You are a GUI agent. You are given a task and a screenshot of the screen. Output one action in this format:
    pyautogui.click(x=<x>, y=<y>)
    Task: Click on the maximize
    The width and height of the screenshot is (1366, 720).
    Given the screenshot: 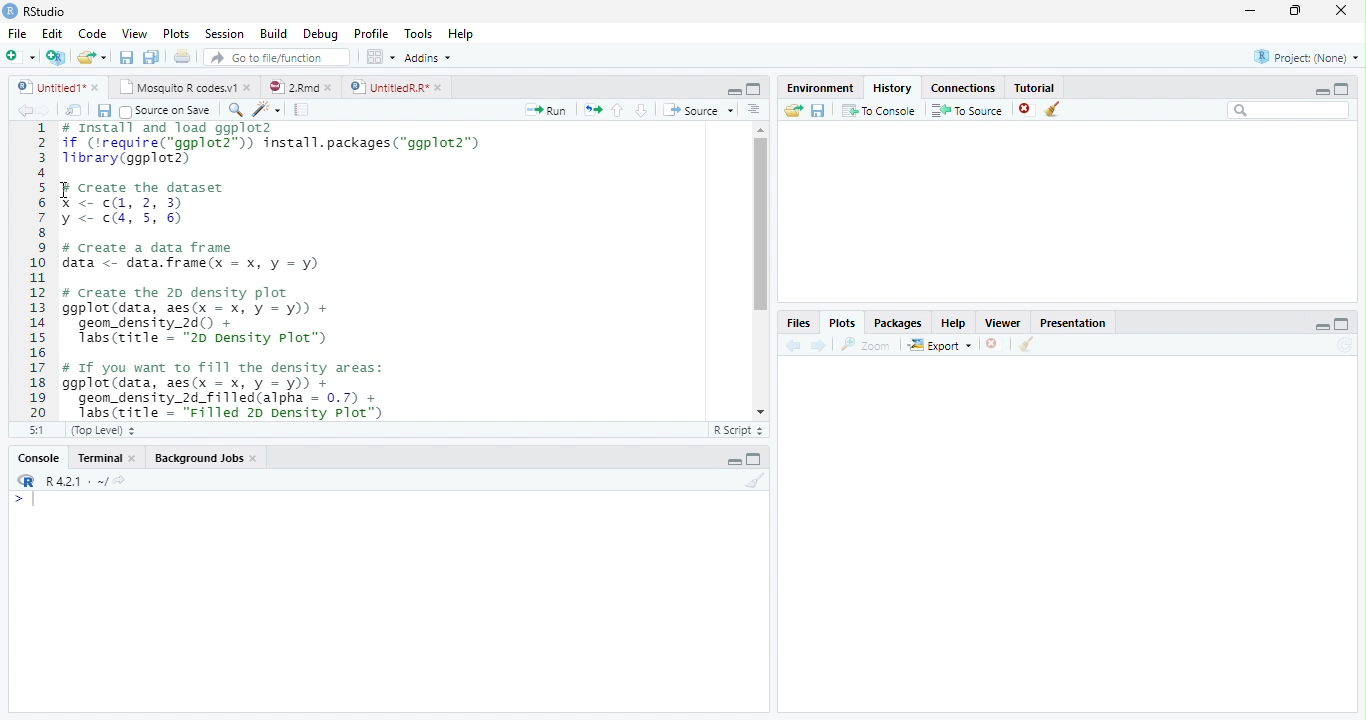 What is the action you would take?
    pyautogui.click(x=1342, y=88)
    